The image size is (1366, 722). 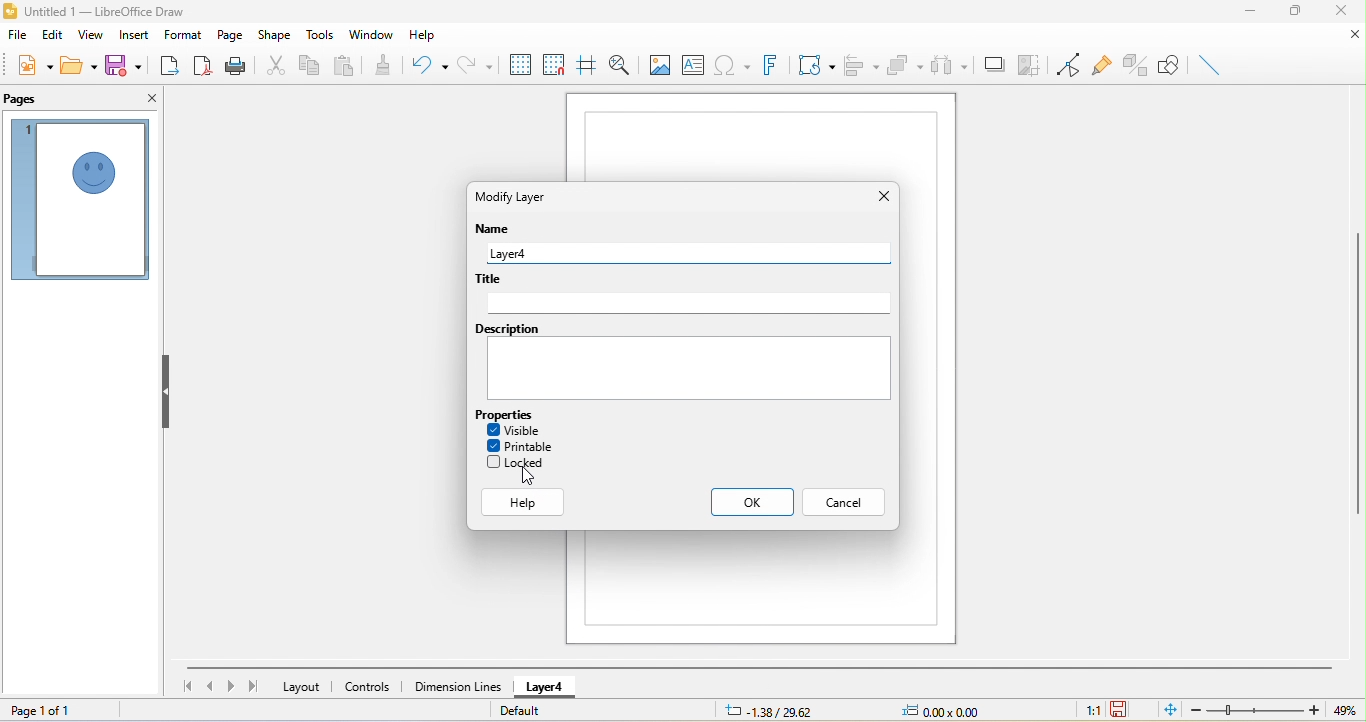 I want to click on close, so click(x=149, y=101).